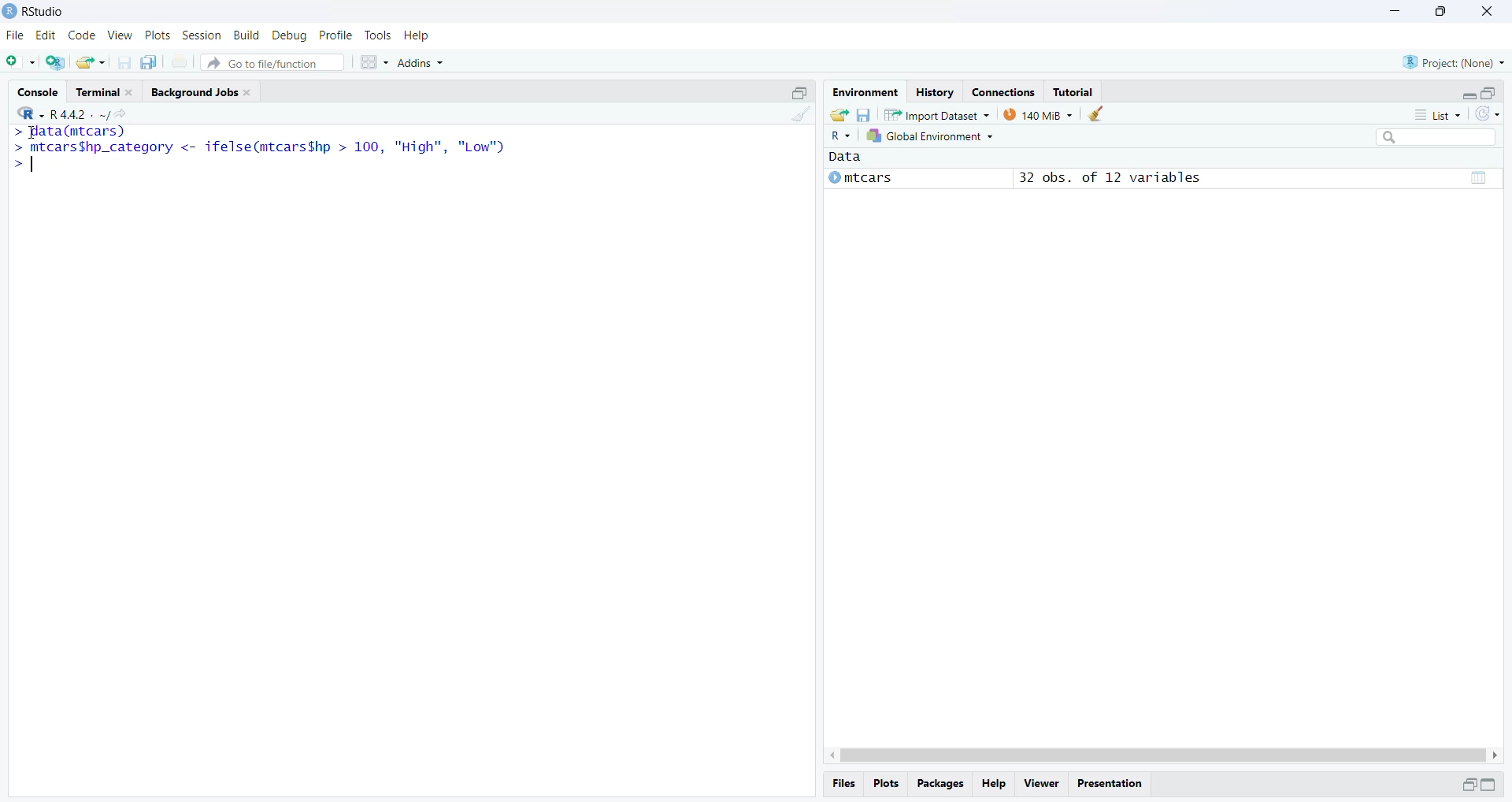 The image size is (1512, 802). What do you see at coordinates (1488, 13) in the screenshot?
I see `Close` at bounding box center [1488, 13].